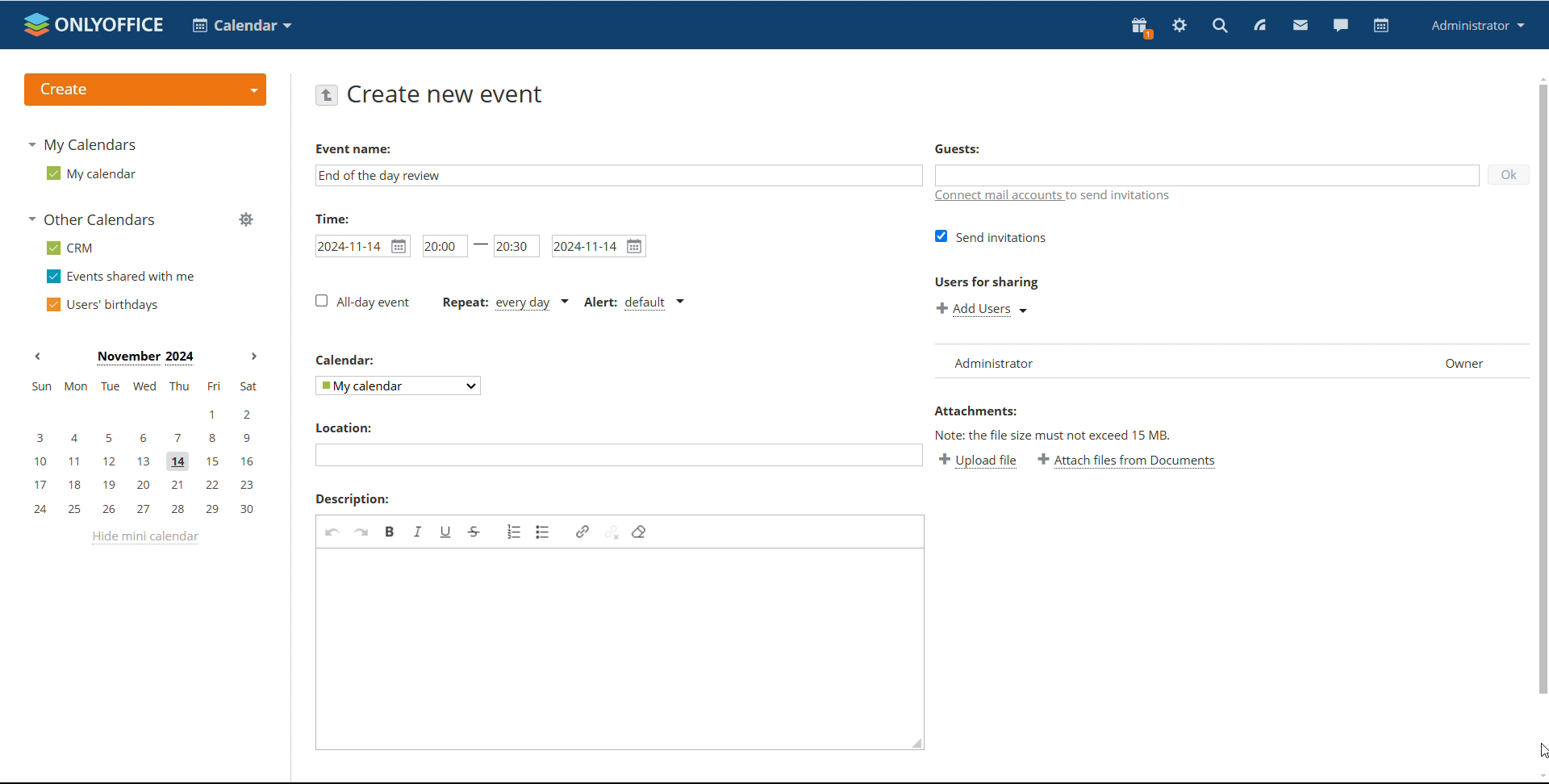 This screenshot has width=1549, height=784. I want to click on 10, 11, 12, 13, 14, 15, 16, so click(148, 462).